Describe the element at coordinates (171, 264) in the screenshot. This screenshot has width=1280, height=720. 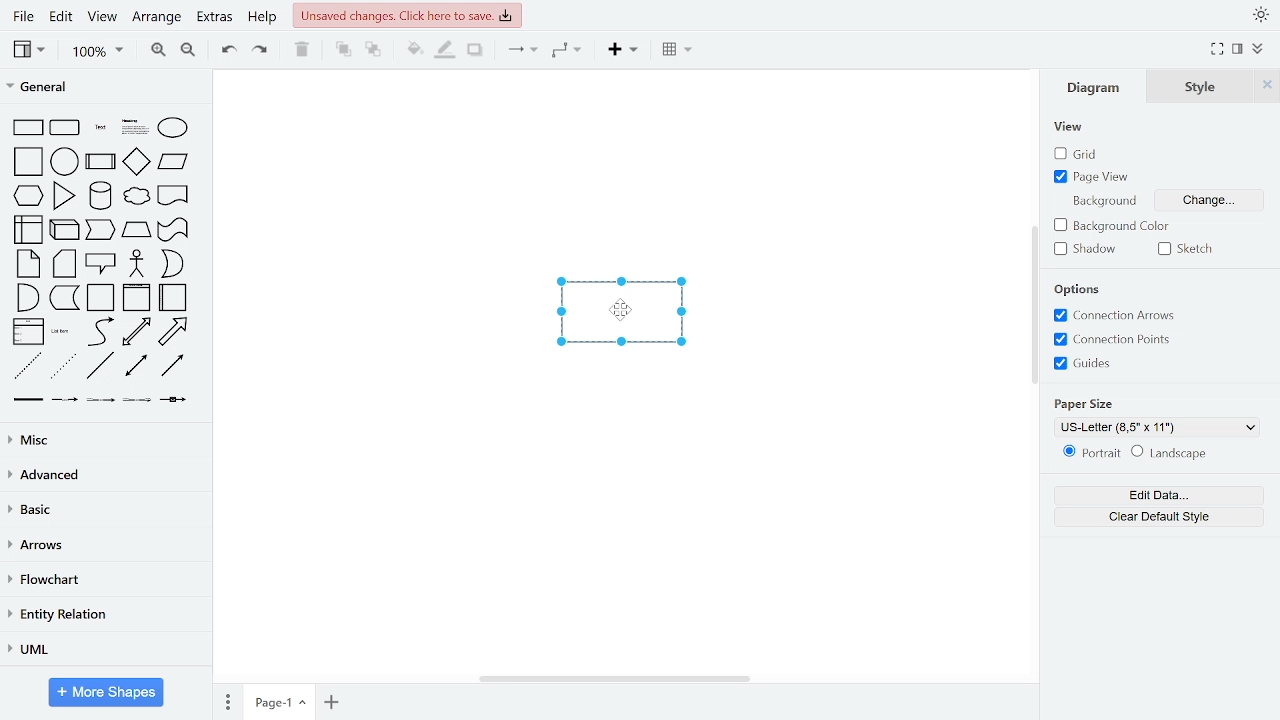
I see `general shapes` at that location.